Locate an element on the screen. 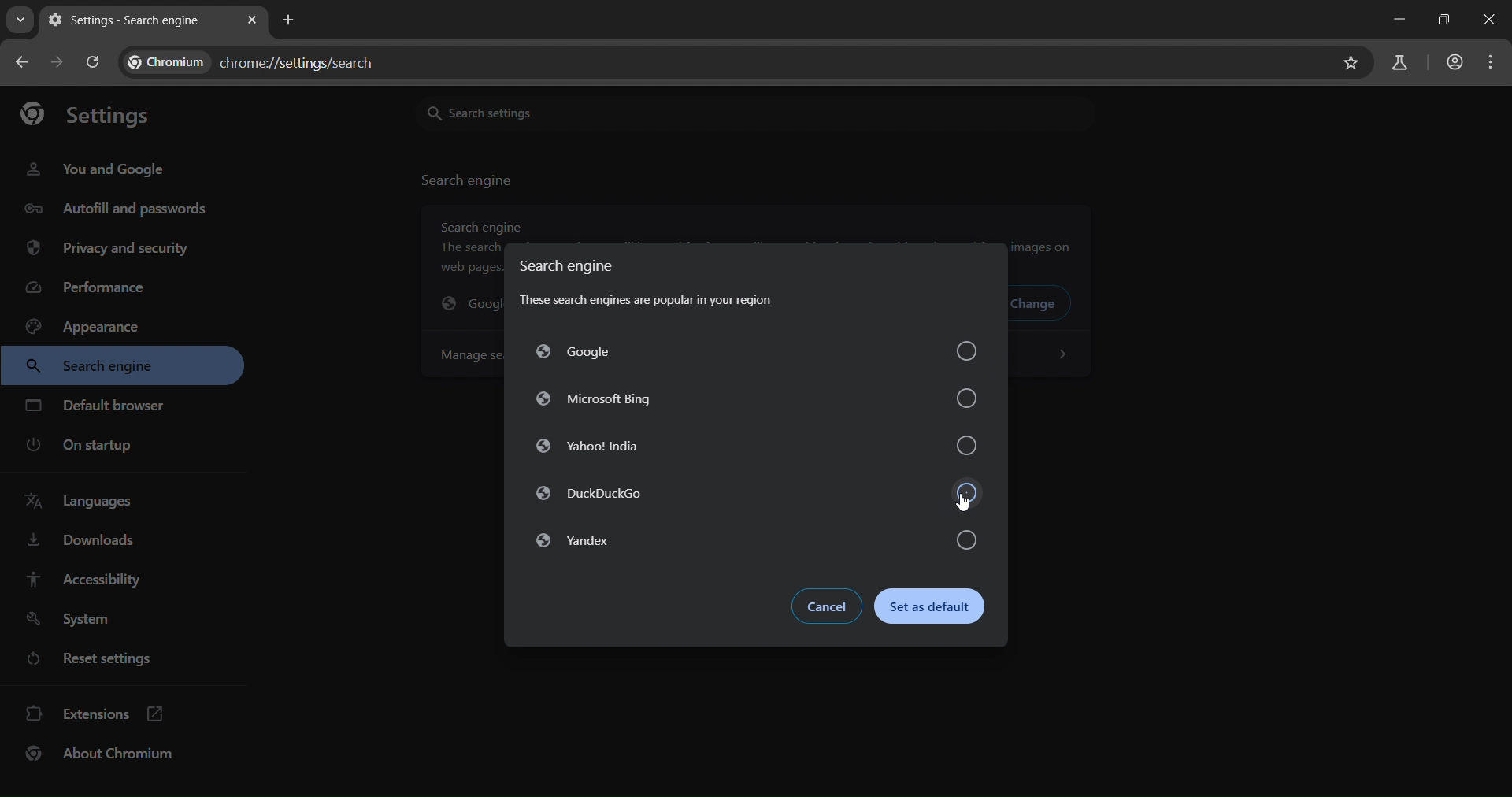 This screenshot has width=1512, height=797. Yandex is located at coordinates (750, 541).